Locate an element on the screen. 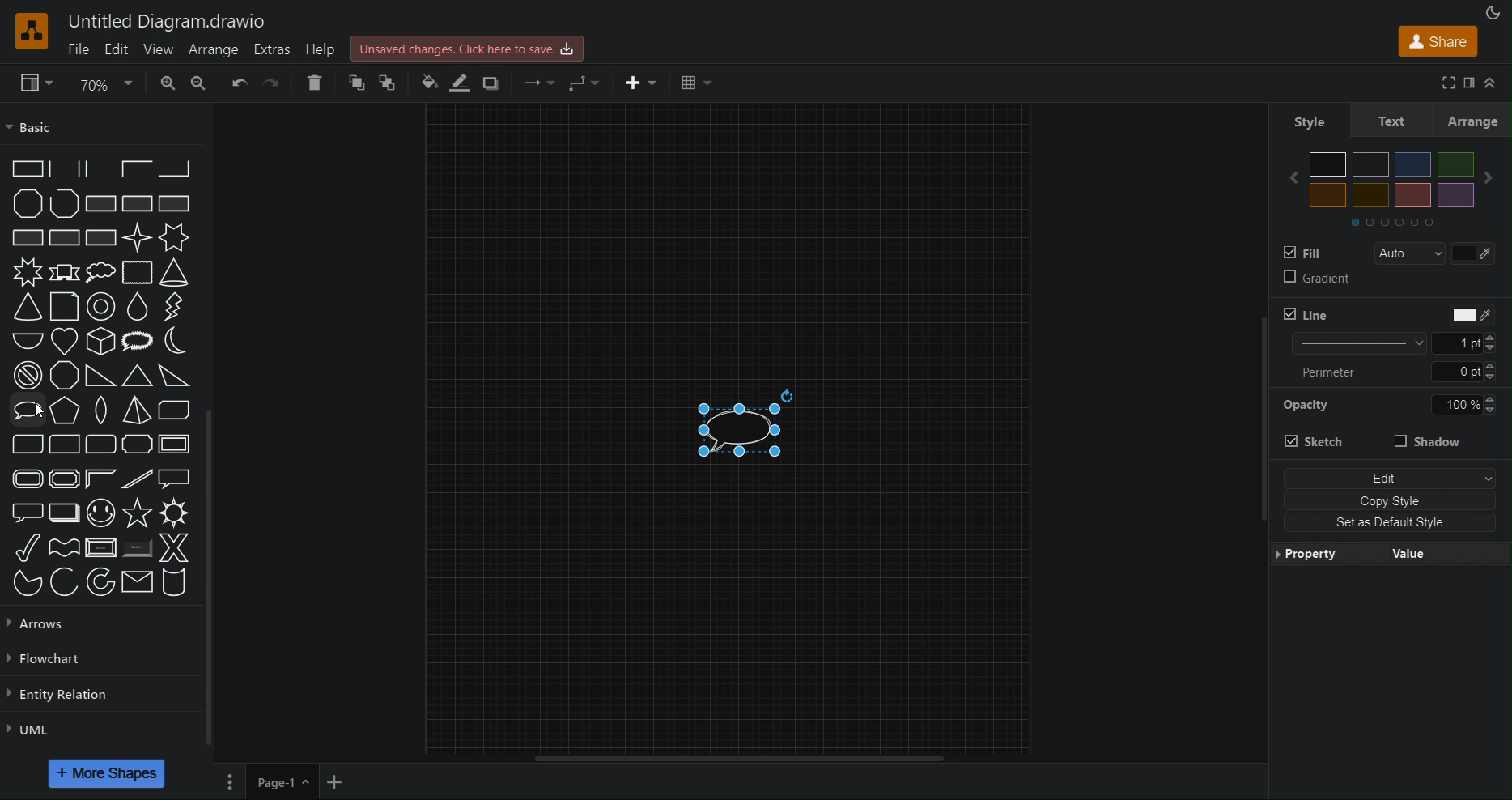  Button (Shaded) is located at coordinates (137, 547).